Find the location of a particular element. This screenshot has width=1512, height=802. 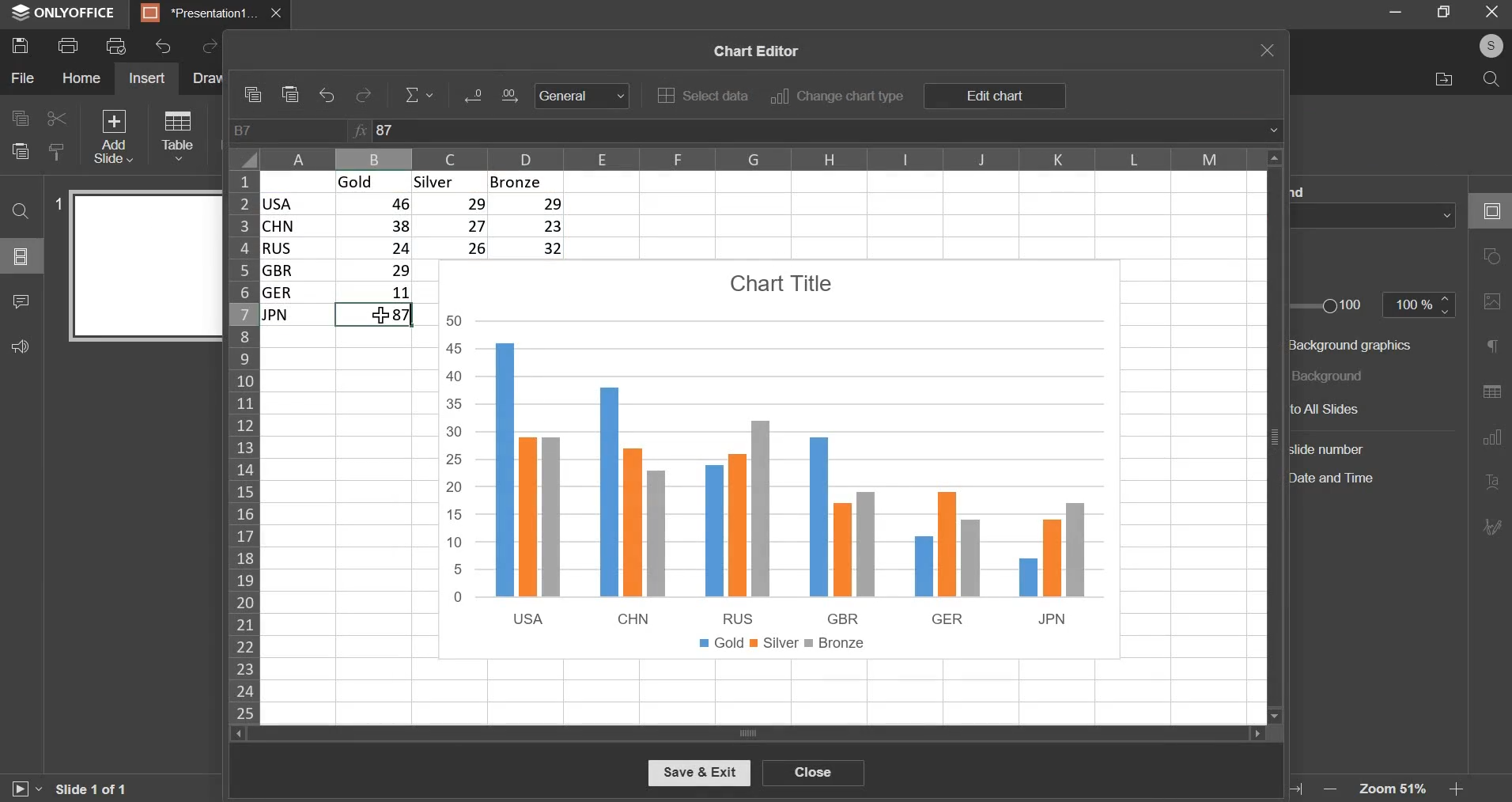

vertical slider is located at coordinates (1274, 435).